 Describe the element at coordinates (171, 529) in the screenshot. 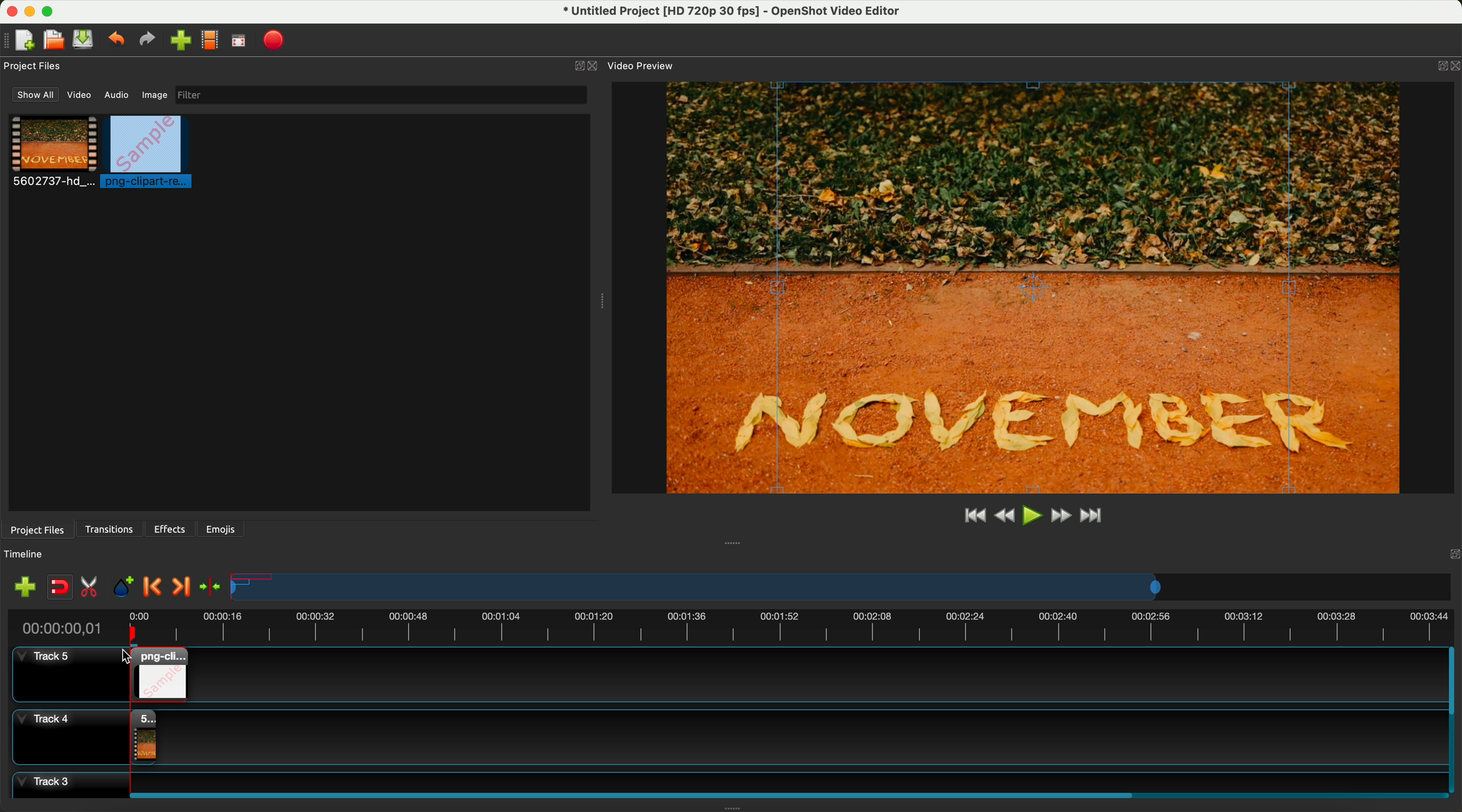

I see `effects` at that location.